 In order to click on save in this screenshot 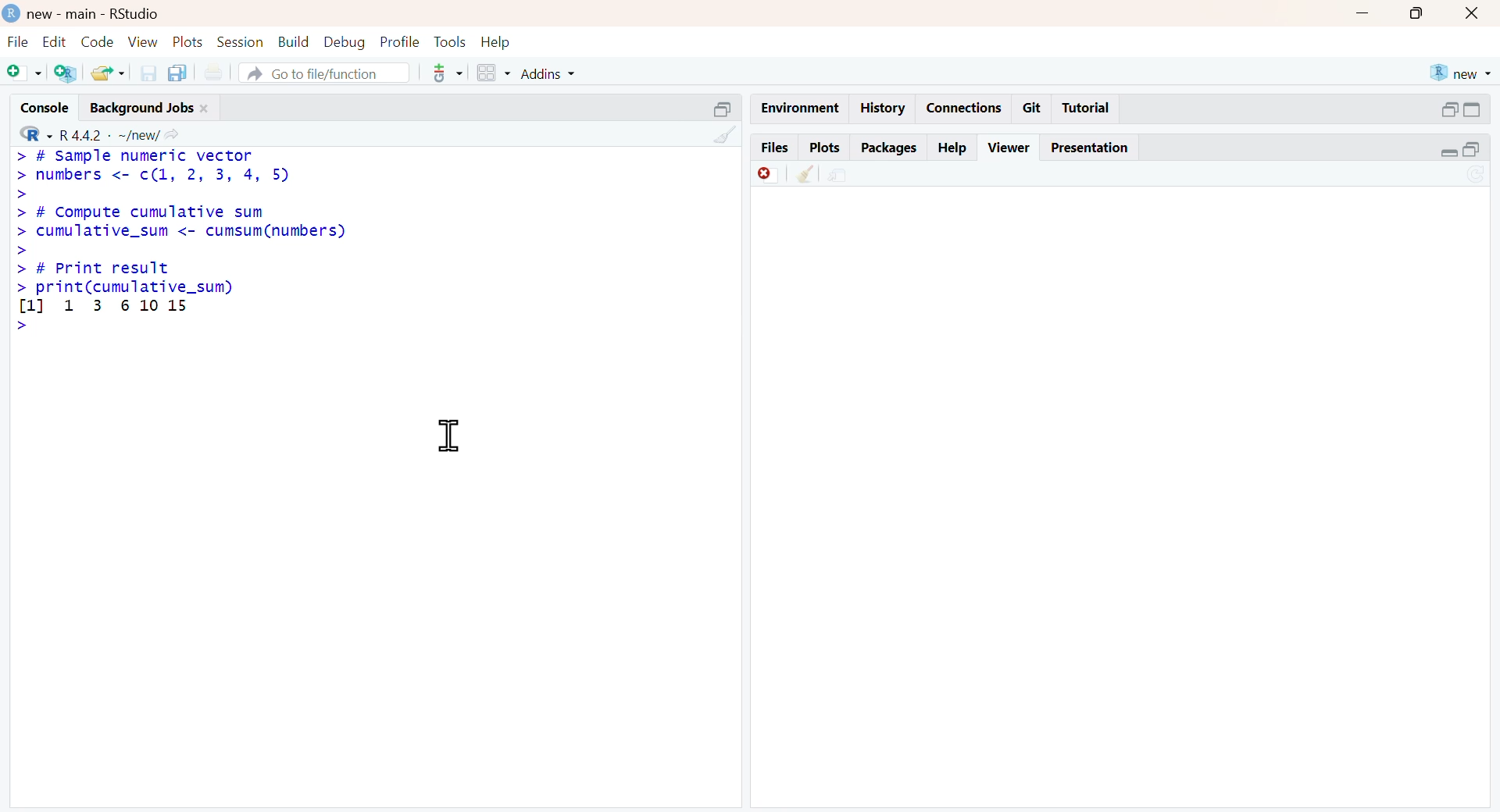, I will do `click(149, 73)`.